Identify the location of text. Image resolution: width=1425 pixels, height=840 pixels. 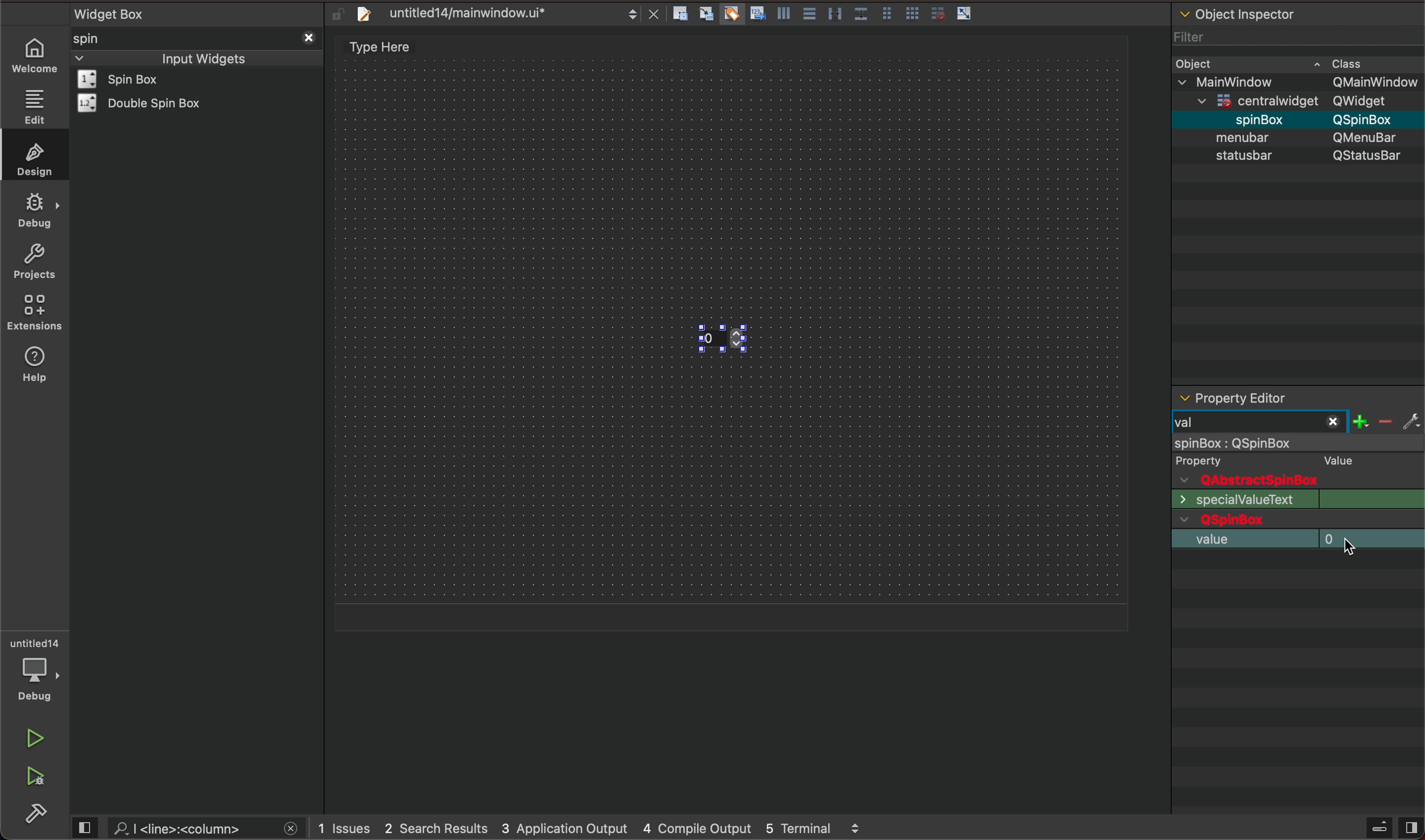
(1235, 157).